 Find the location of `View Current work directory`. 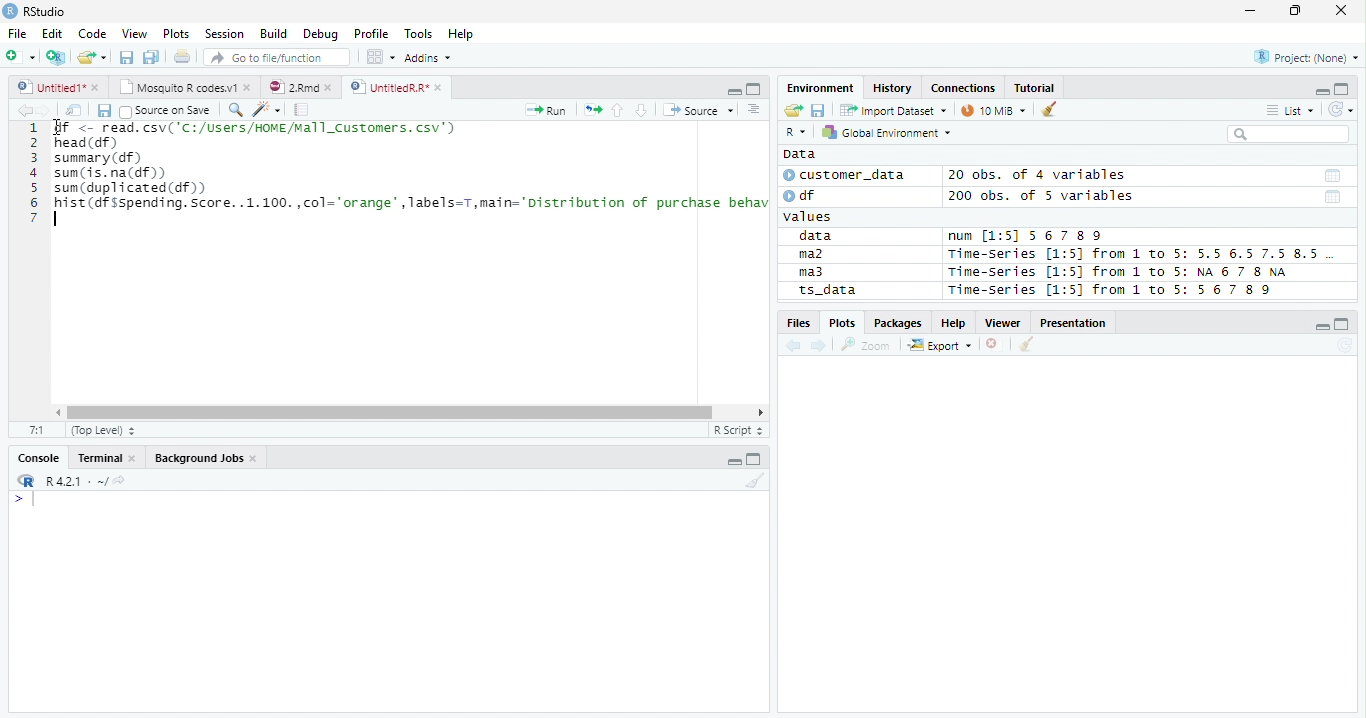

View Current work directory is located at coordinates (121, 480).